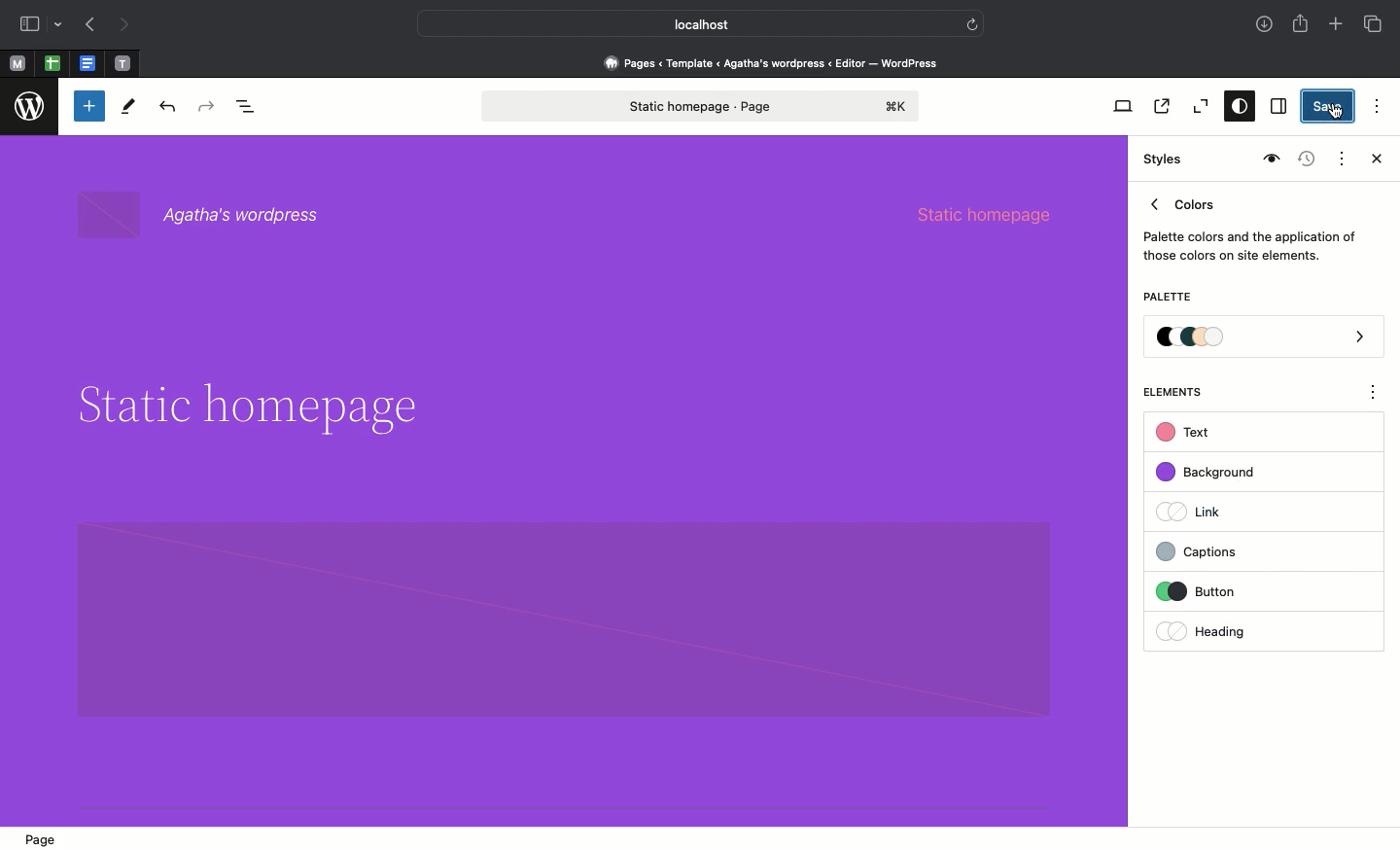 The height and width of the screenshot is (850, 1400). Describe the element at coordinates (123, 64) in the screenshot. I see `Pinned tab` at that location.